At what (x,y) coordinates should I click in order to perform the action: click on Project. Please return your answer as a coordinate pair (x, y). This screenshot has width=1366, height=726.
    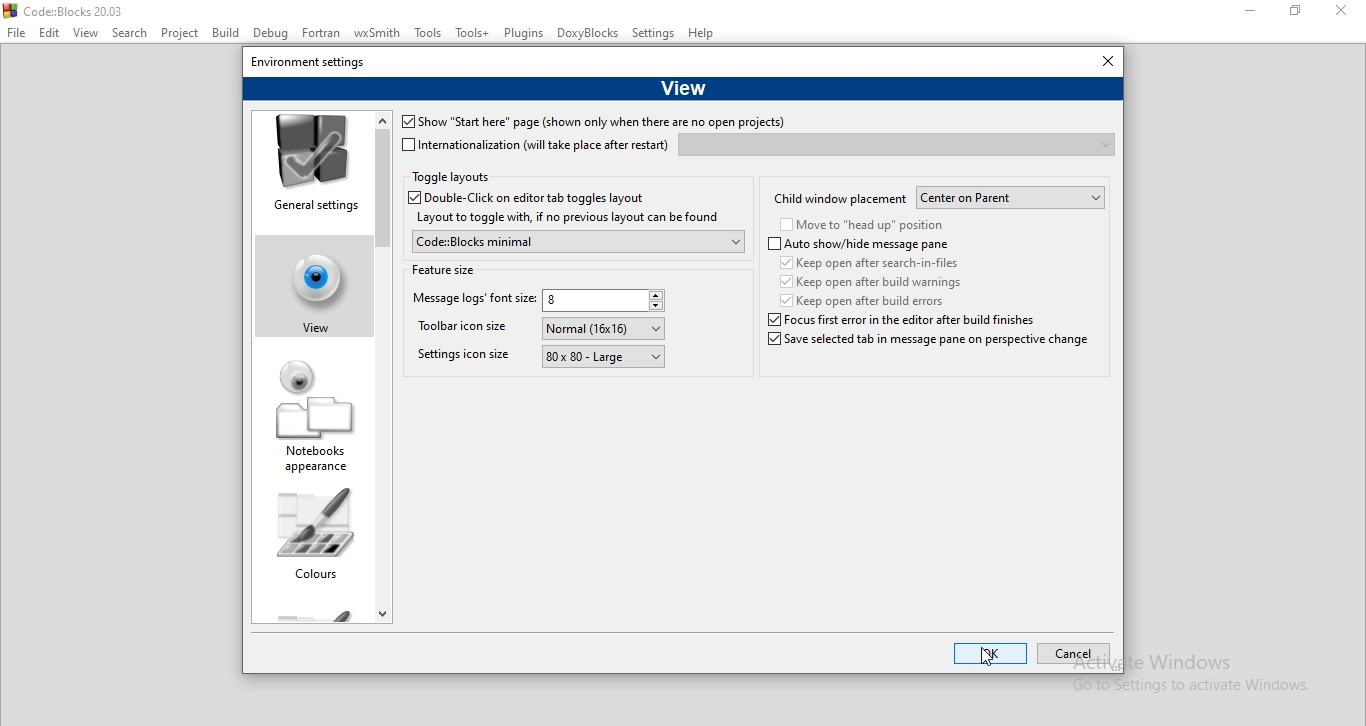
    Looking at the image, I should click on (183, 33).